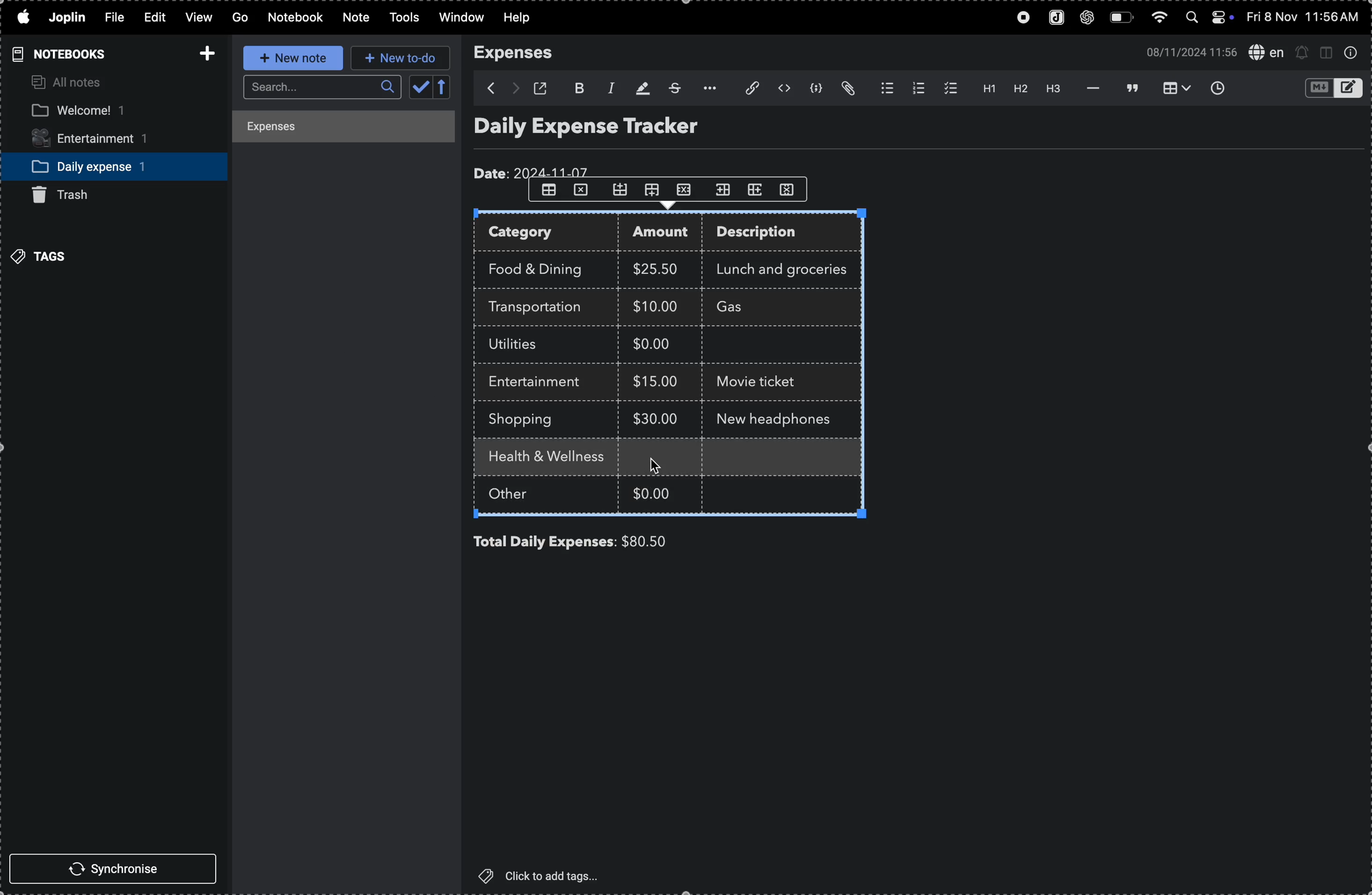 Image resolution: width=1372 pixels, height=895 pixels. I want to click on open window, so click(544, 88).